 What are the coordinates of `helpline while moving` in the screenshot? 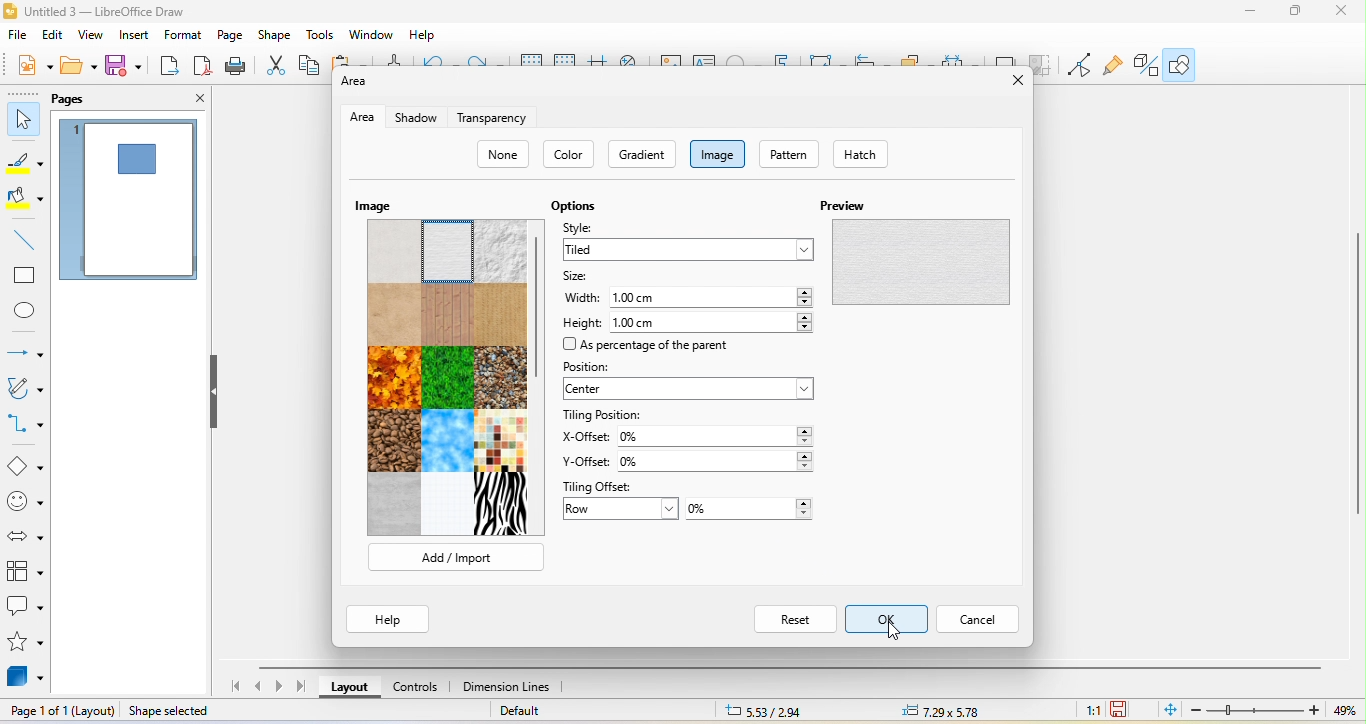 It's located at (598, 62).